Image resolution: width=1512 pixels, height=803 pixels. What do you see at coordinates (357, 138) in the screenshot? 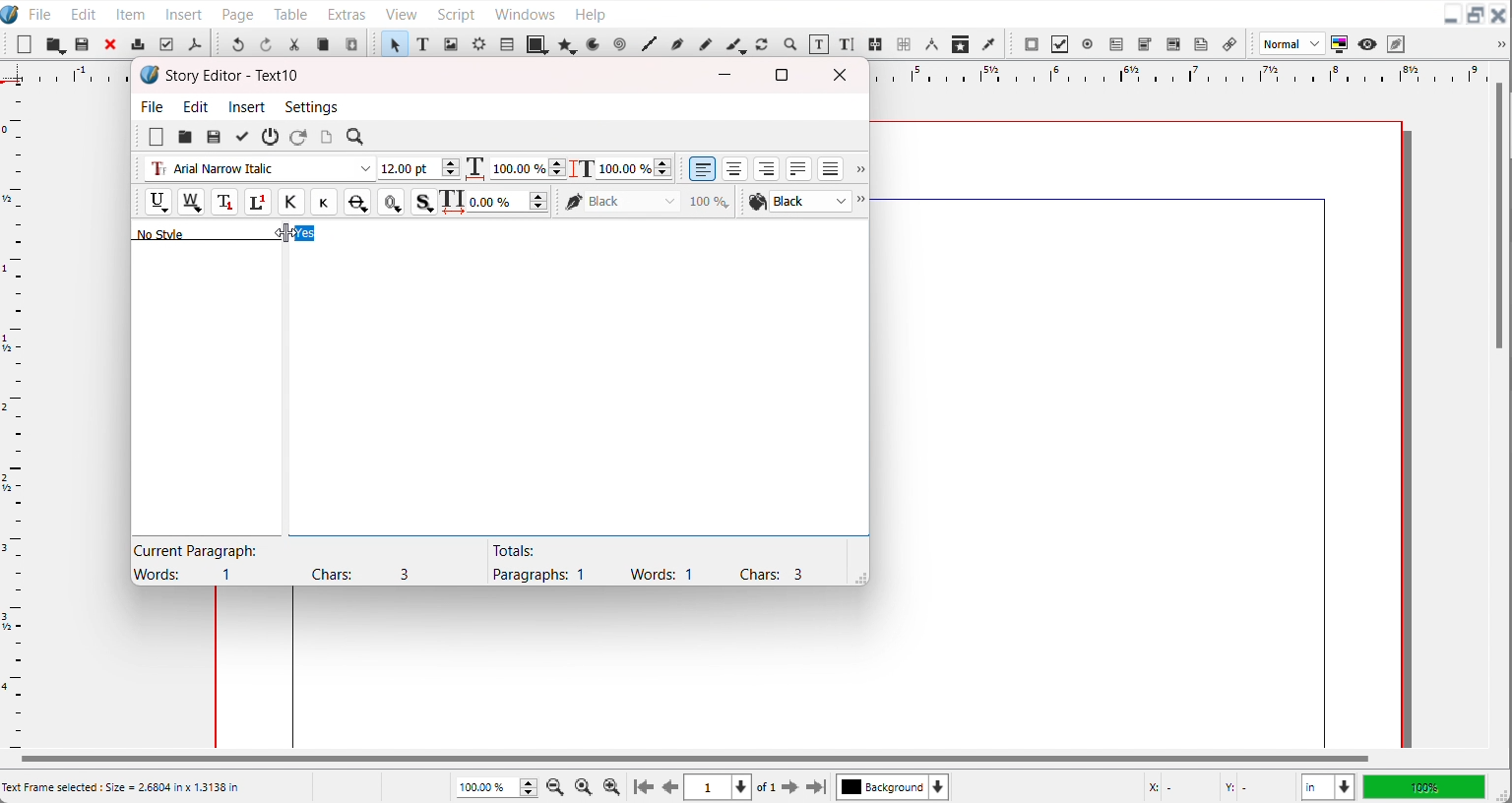
I see `Search/Replace` at bounding box center [357, 138].